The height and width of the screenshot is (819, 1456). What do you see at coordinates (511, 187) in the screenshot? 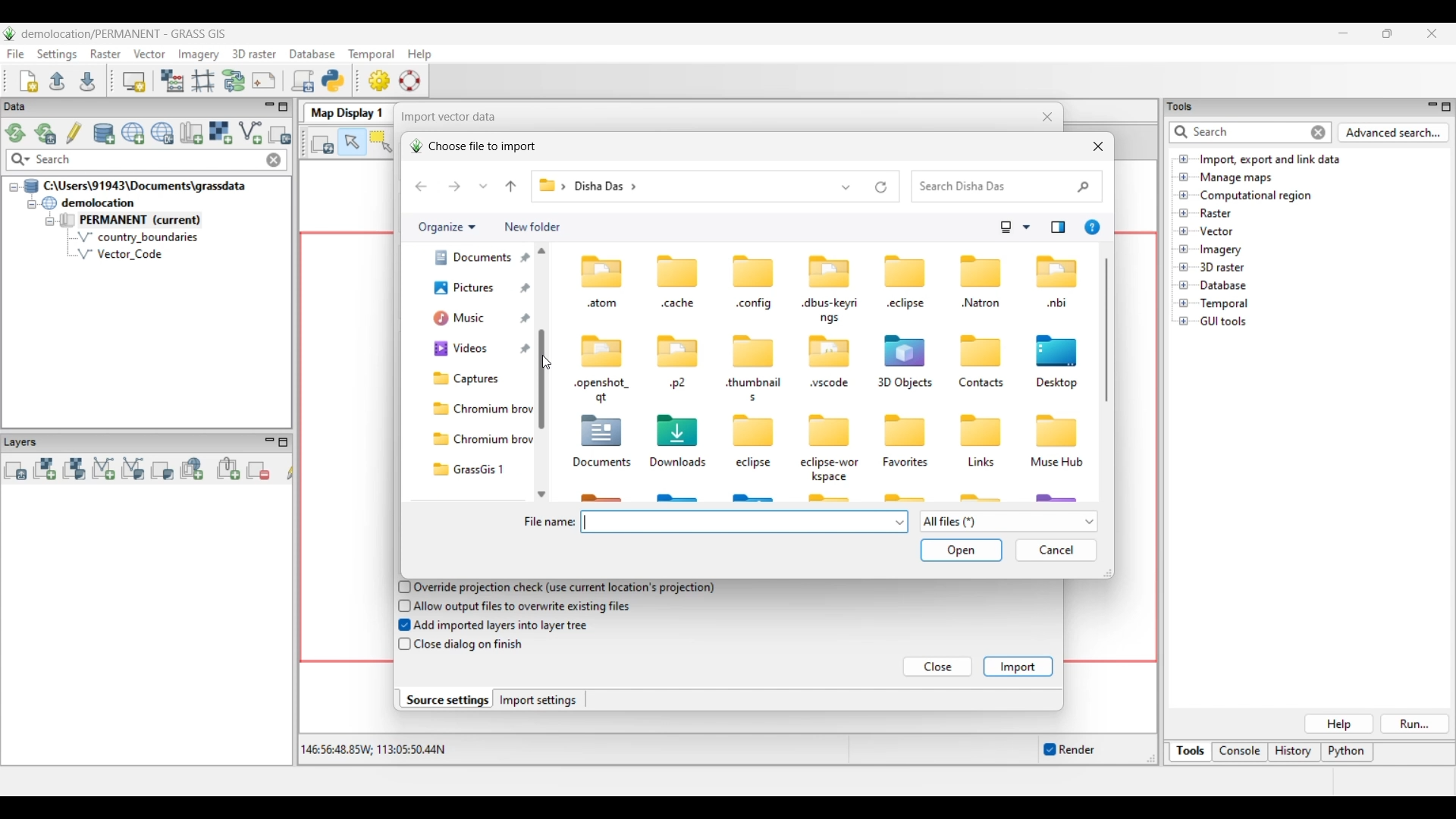
I see `Go to the file before current file in file pathway` at bounding box center [511, 187].